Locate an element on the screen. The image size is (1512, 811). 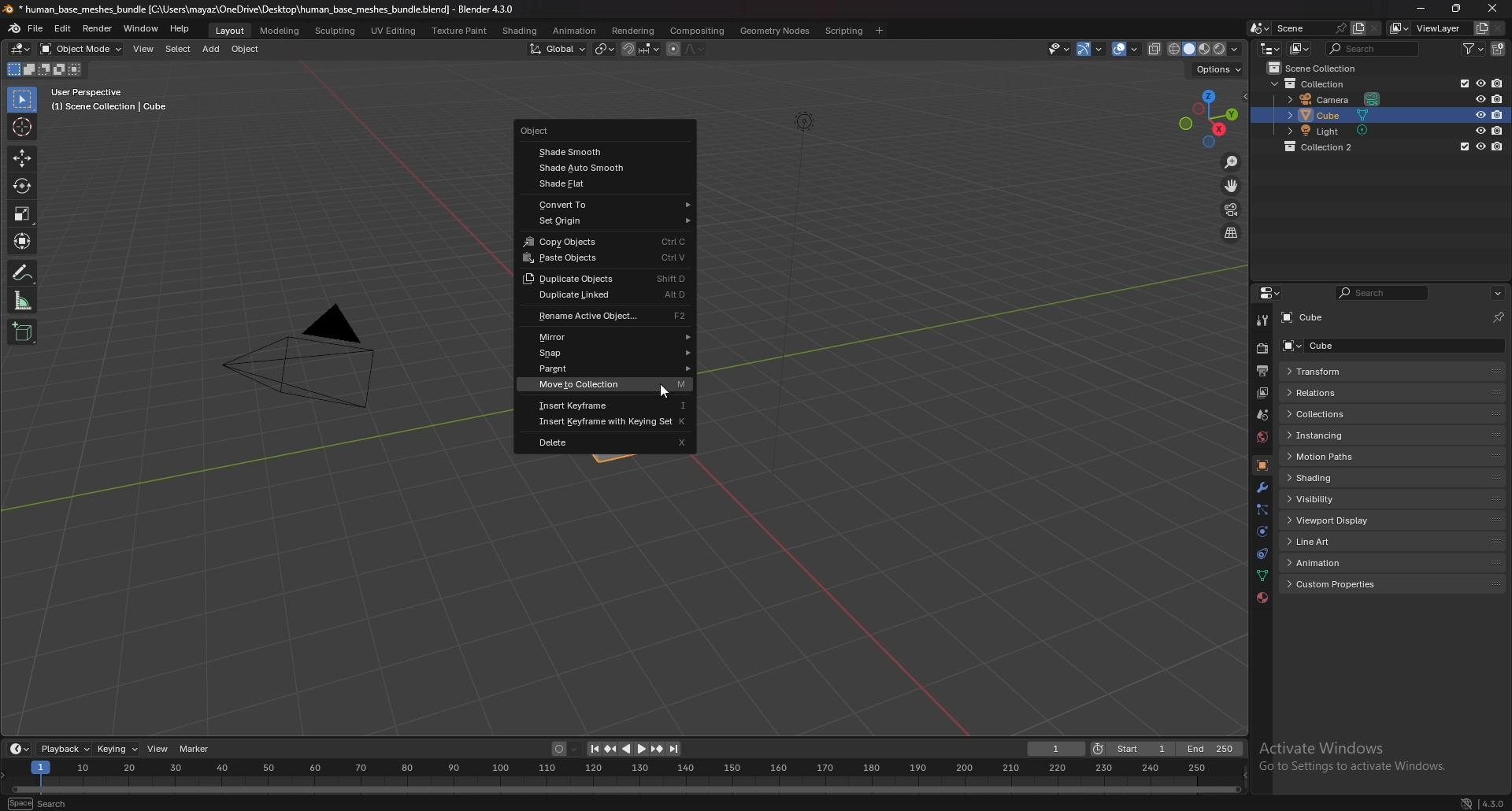
physics is located at coordinates (1263, 531).